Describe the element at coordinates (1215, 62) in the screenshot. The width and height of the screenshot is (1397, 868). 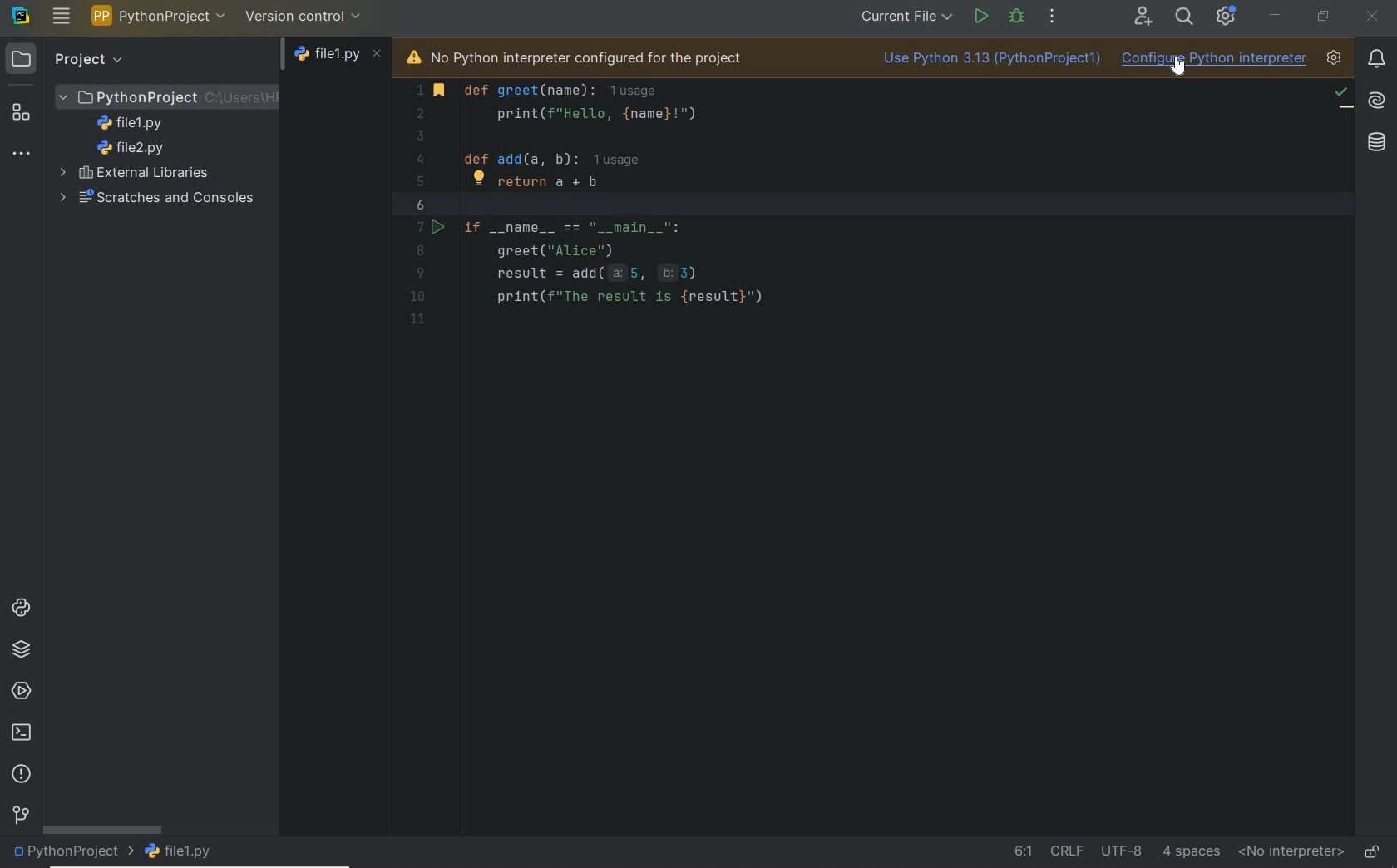
I see `configure python interpreter` at that location.